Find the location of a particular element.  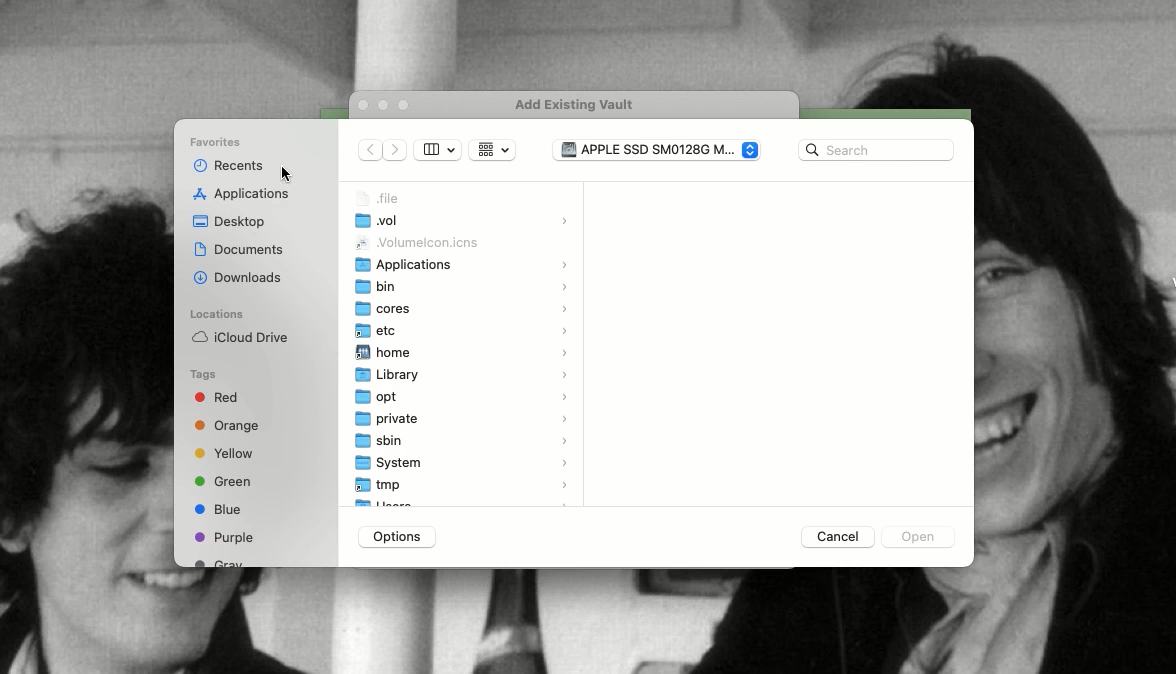

Orange is located at coordinates (228, 427).